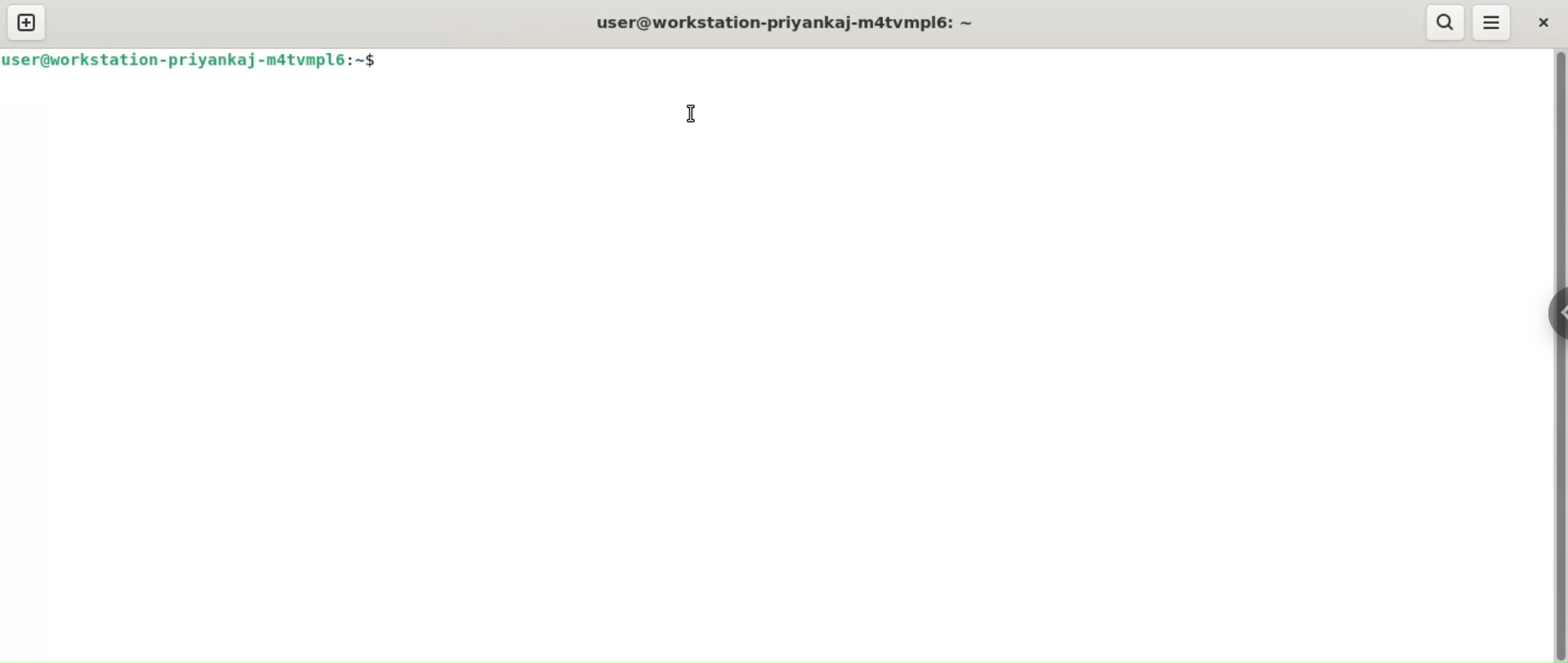 The height and width of the screenshot is (663, 1568). I want to click on vertical scroll bar, so click(1558, 356).